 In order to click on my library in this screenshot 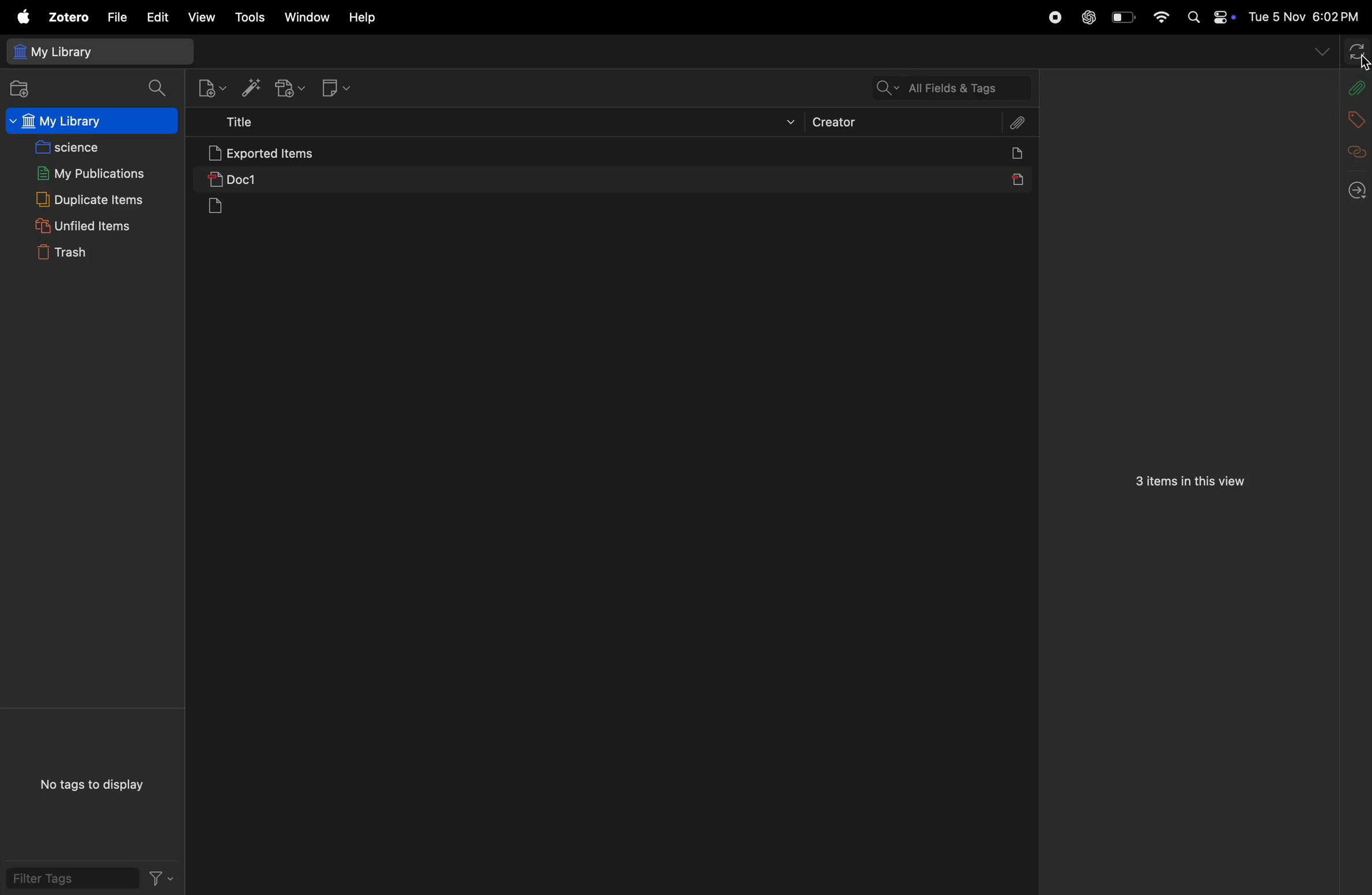, I will do `click(94, 53)`.